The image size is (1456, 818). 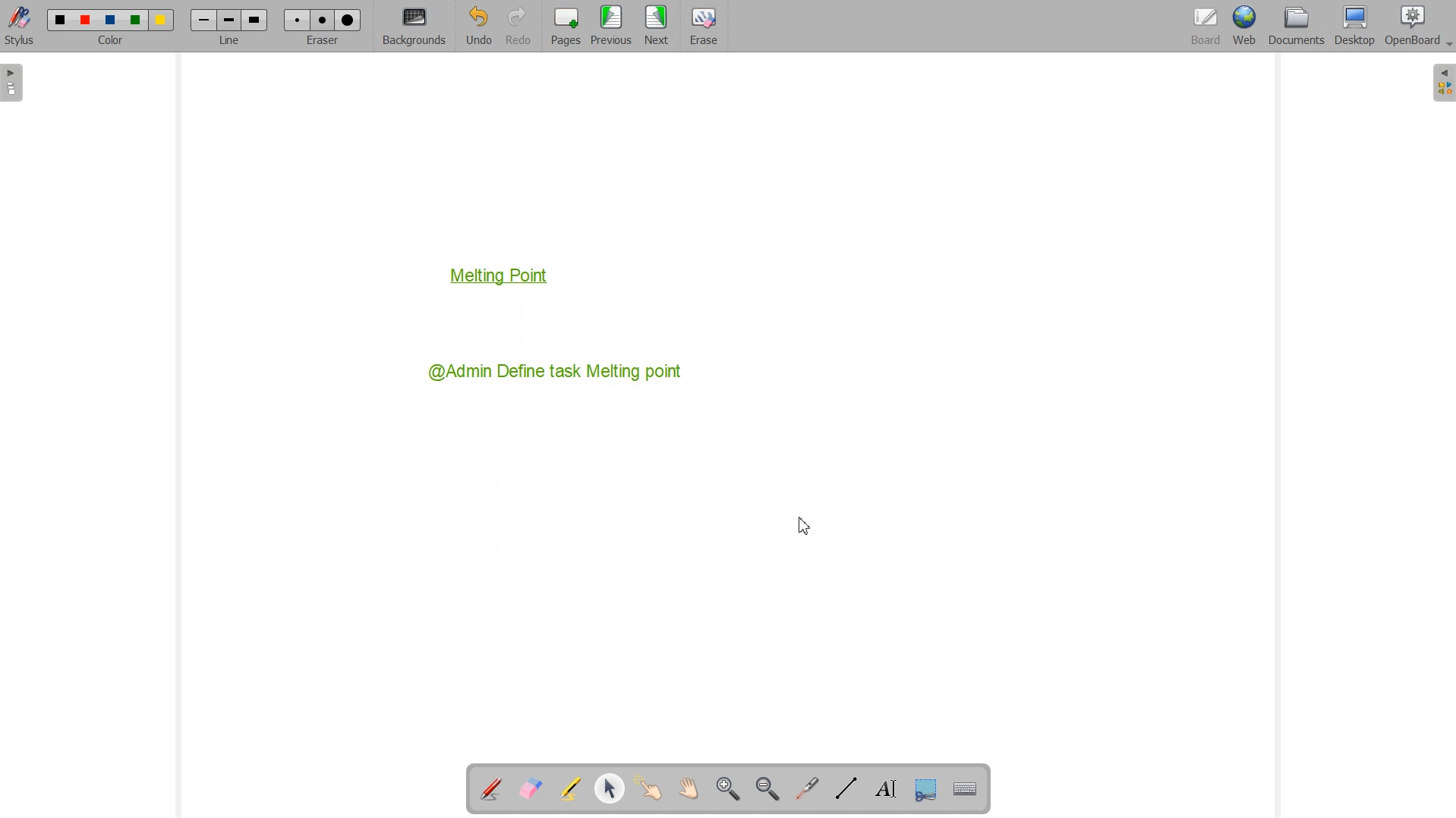 I want to click on Zoom In, so click(x=730, y=789).